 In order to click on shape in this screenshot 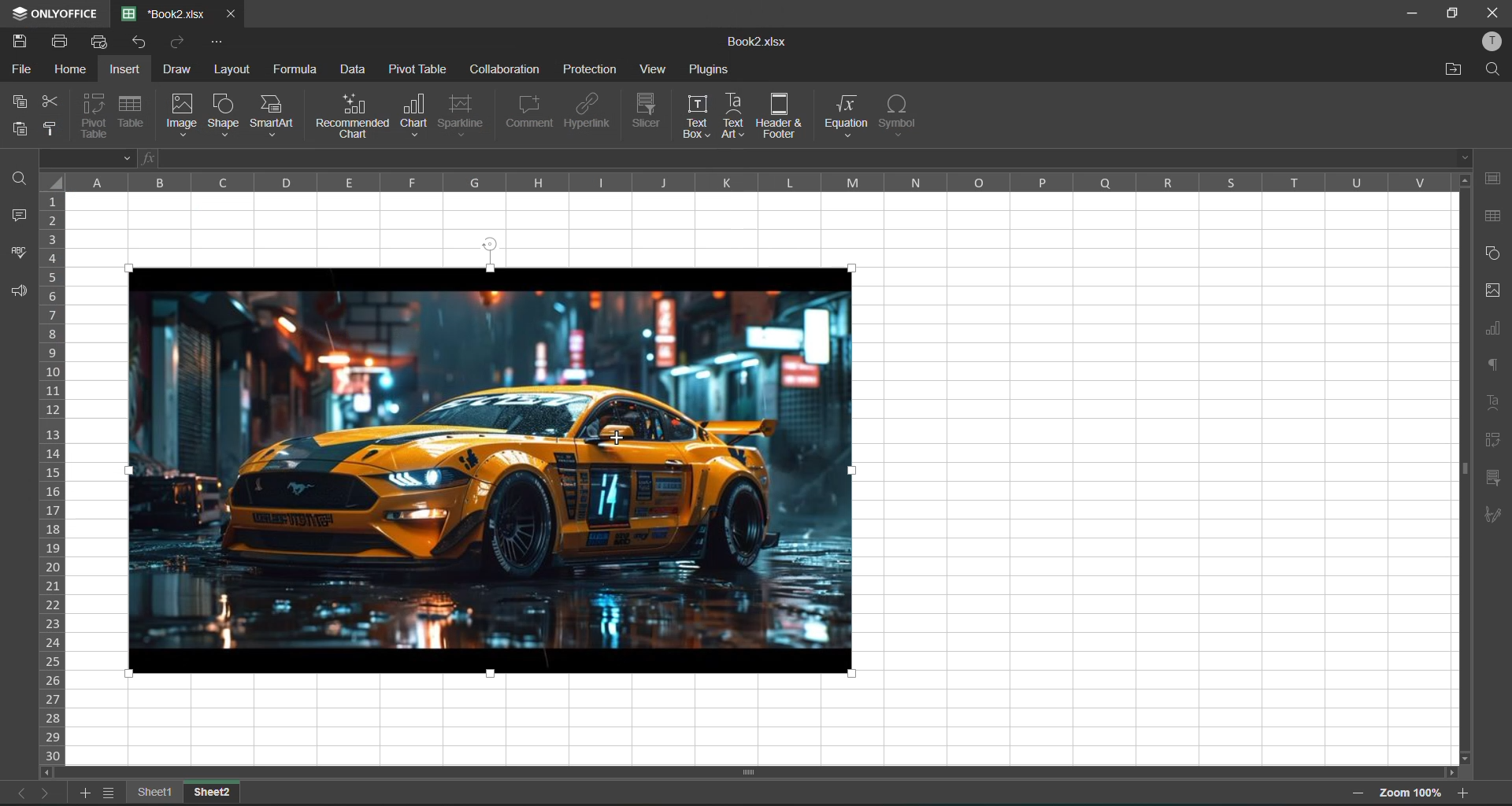, I will do `click(224, 115)`.